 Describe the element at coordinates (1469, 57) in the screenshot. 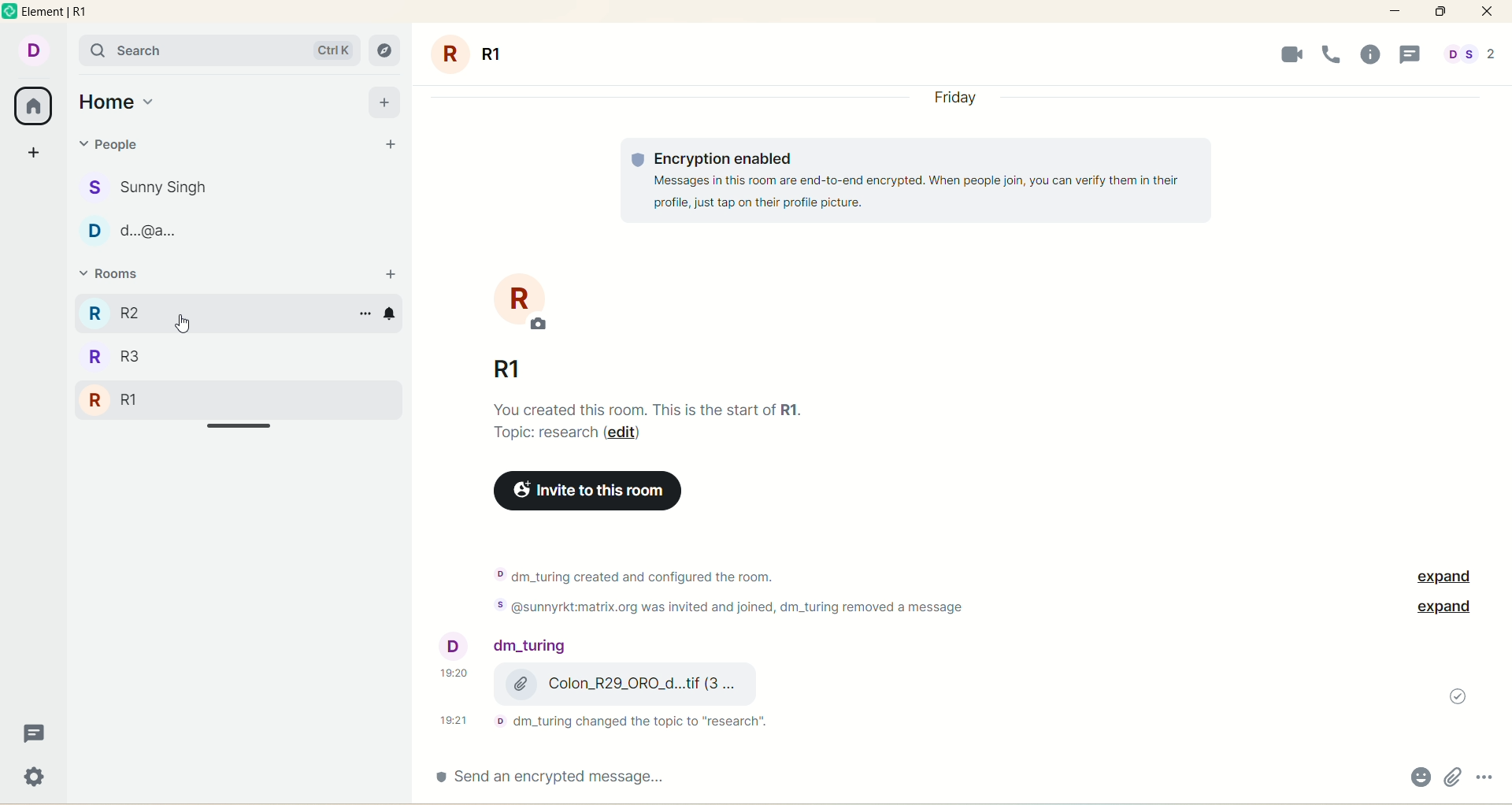

I see `people` at that location.